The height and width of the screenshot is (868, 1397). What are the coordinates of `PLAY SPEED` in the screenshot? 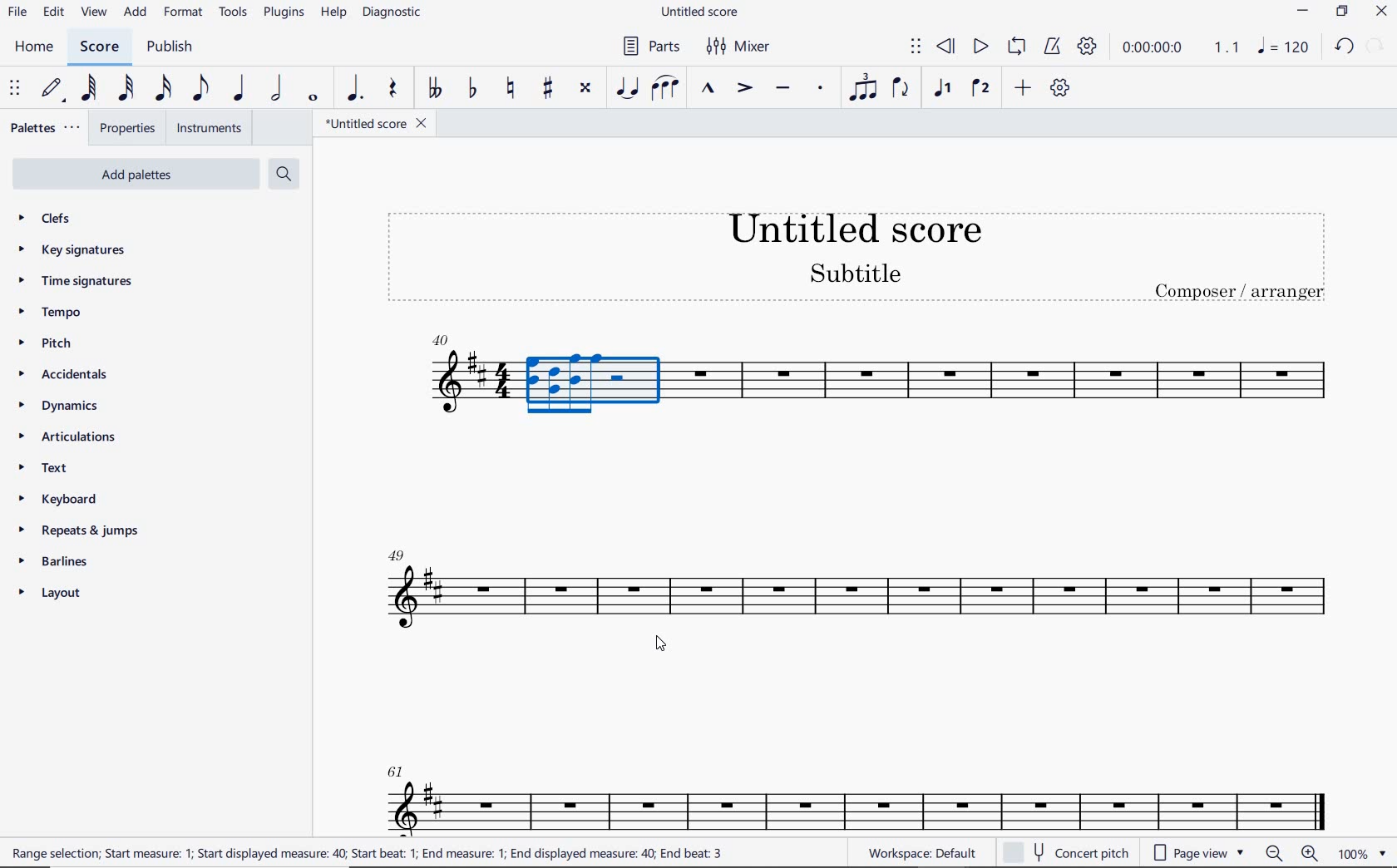 It's located at (1181, 49).